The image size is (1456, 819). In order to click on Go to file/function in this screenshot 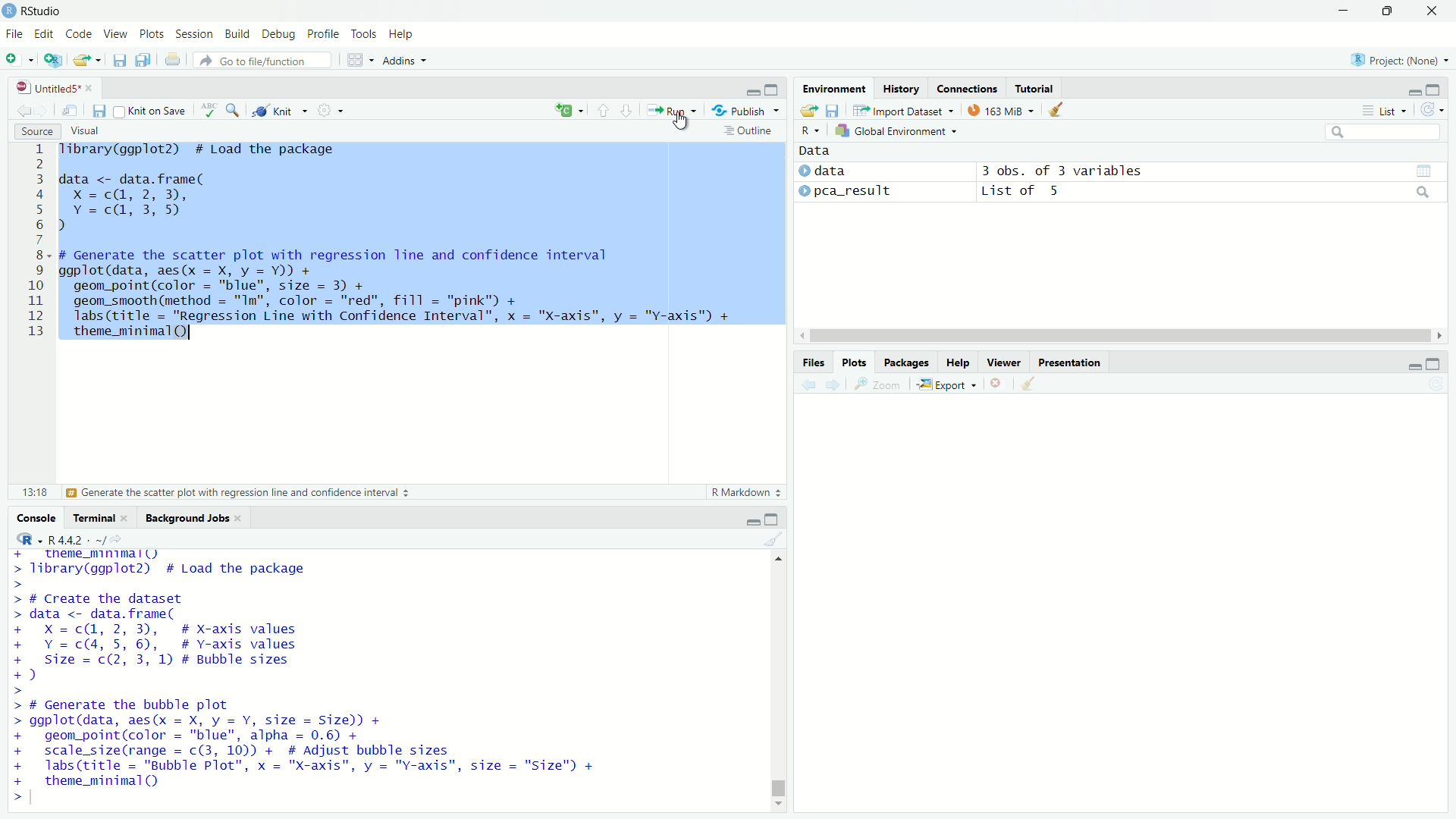, I will do `click(262, 61)`.